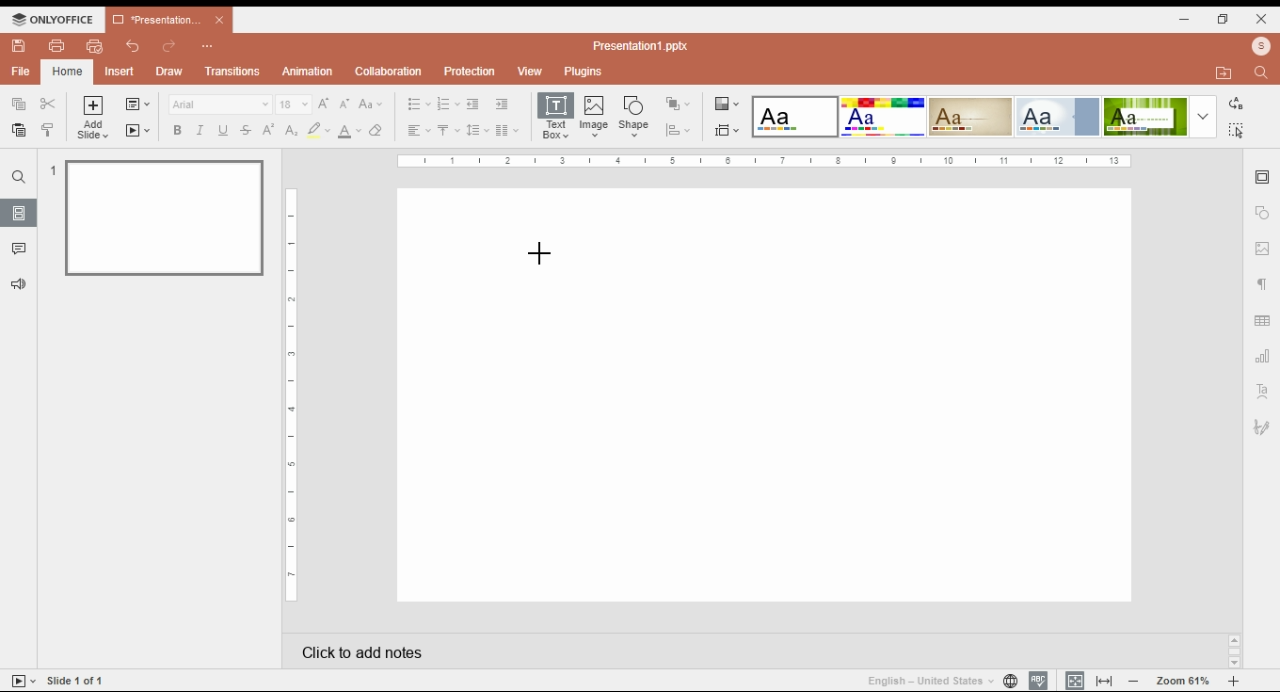 The image size is (1280, 692). What do you see at coordinates (152, 21) in the screenshot?
I see `*Presentation...` at bounding box center [152, 21].